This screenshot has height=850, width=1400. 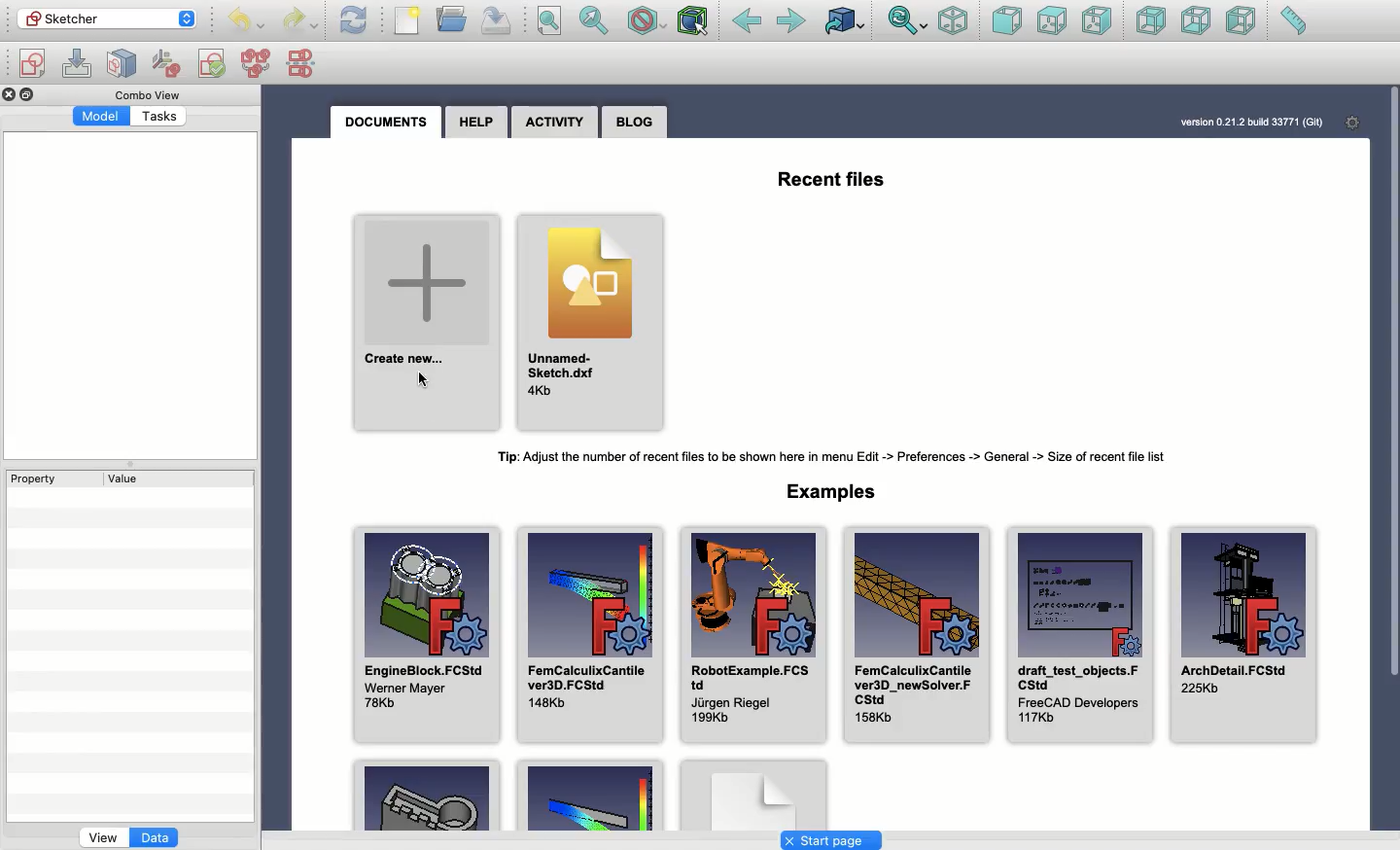 What do you see at coordinates (1249, 124) in the screenshot?
I see `‘version 0.21.2 bulld 33771 (Git)` at bounding box center [1249, 124].